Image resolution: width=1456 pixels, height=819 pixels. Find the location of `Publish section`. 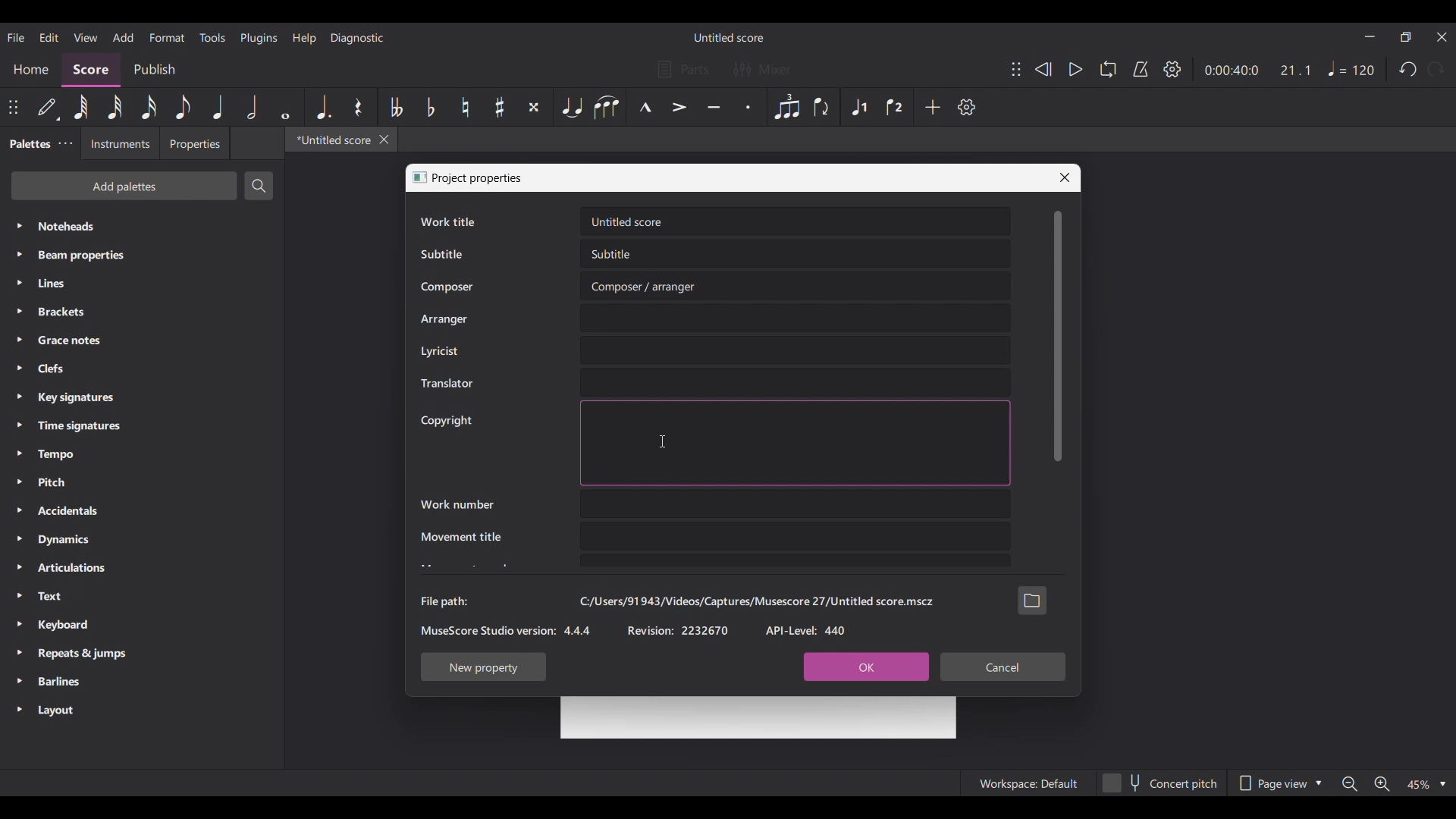

Publish section is located at coordinates (154, 71).